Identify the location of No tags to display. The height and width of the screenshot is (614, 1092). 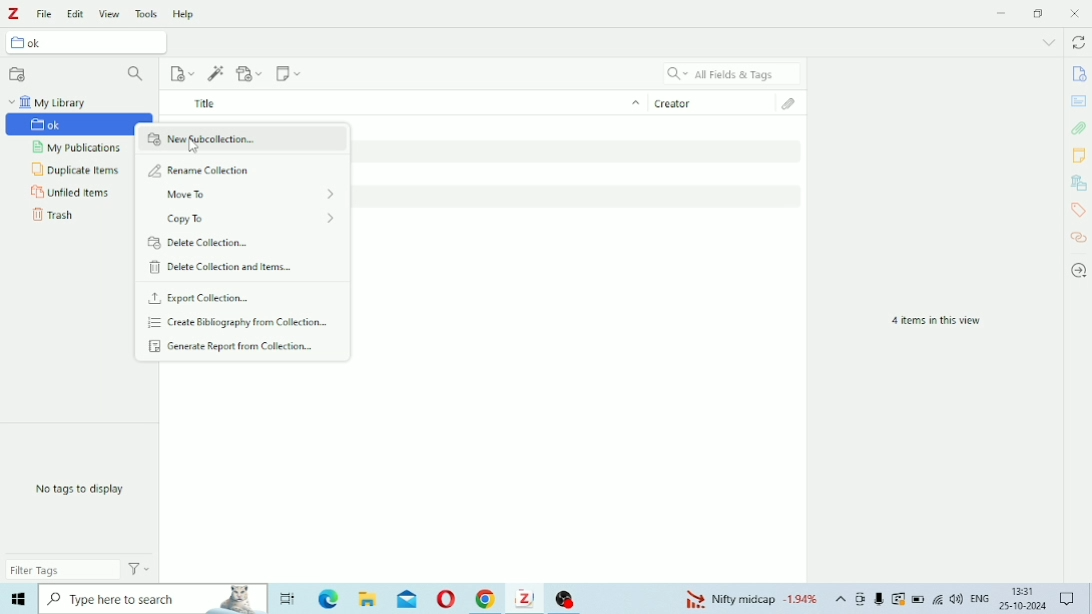
(83, 489).